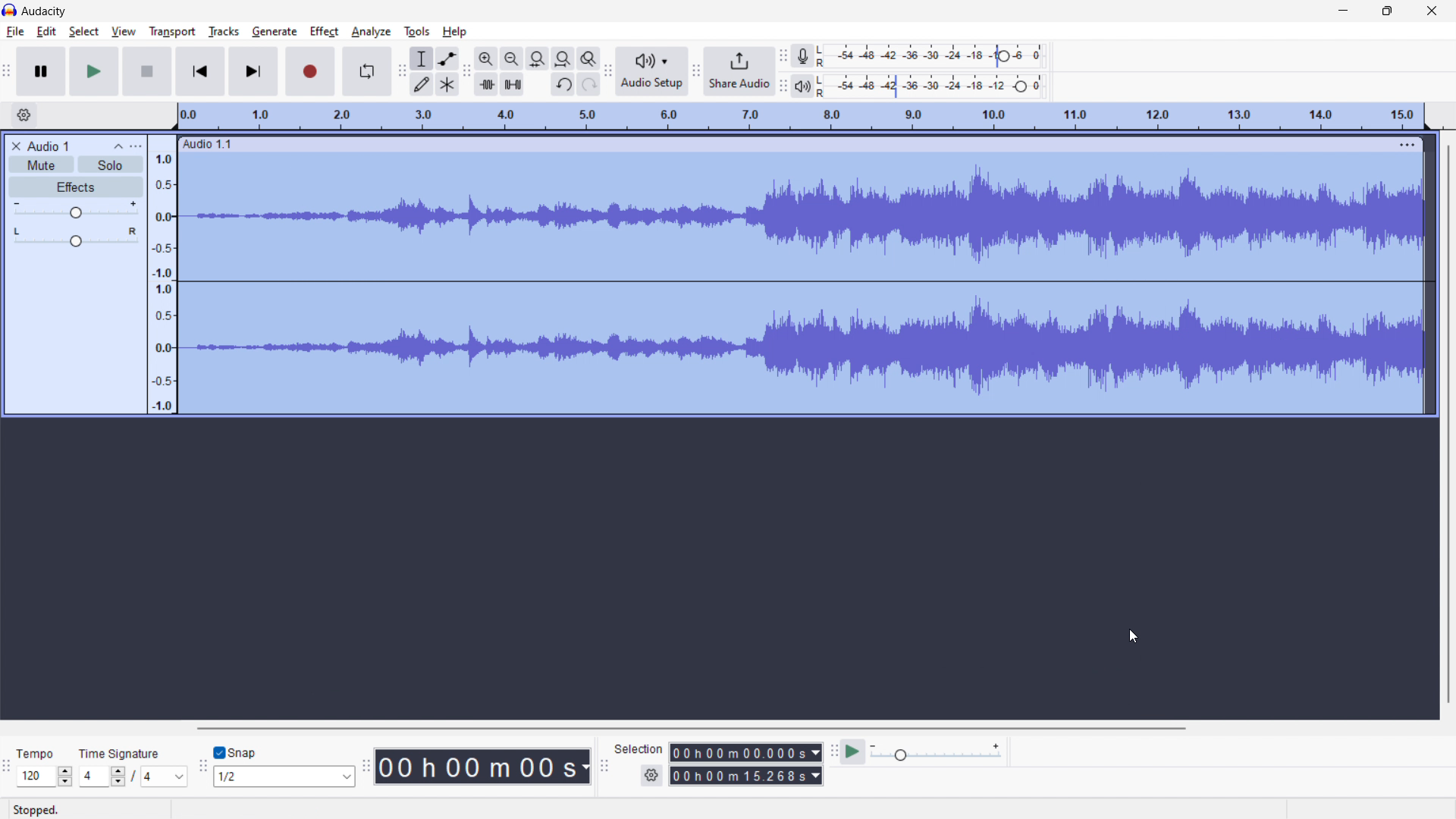  Describe the element at coordinates (10, 9) in the screenshot. I see `logo` at that location.